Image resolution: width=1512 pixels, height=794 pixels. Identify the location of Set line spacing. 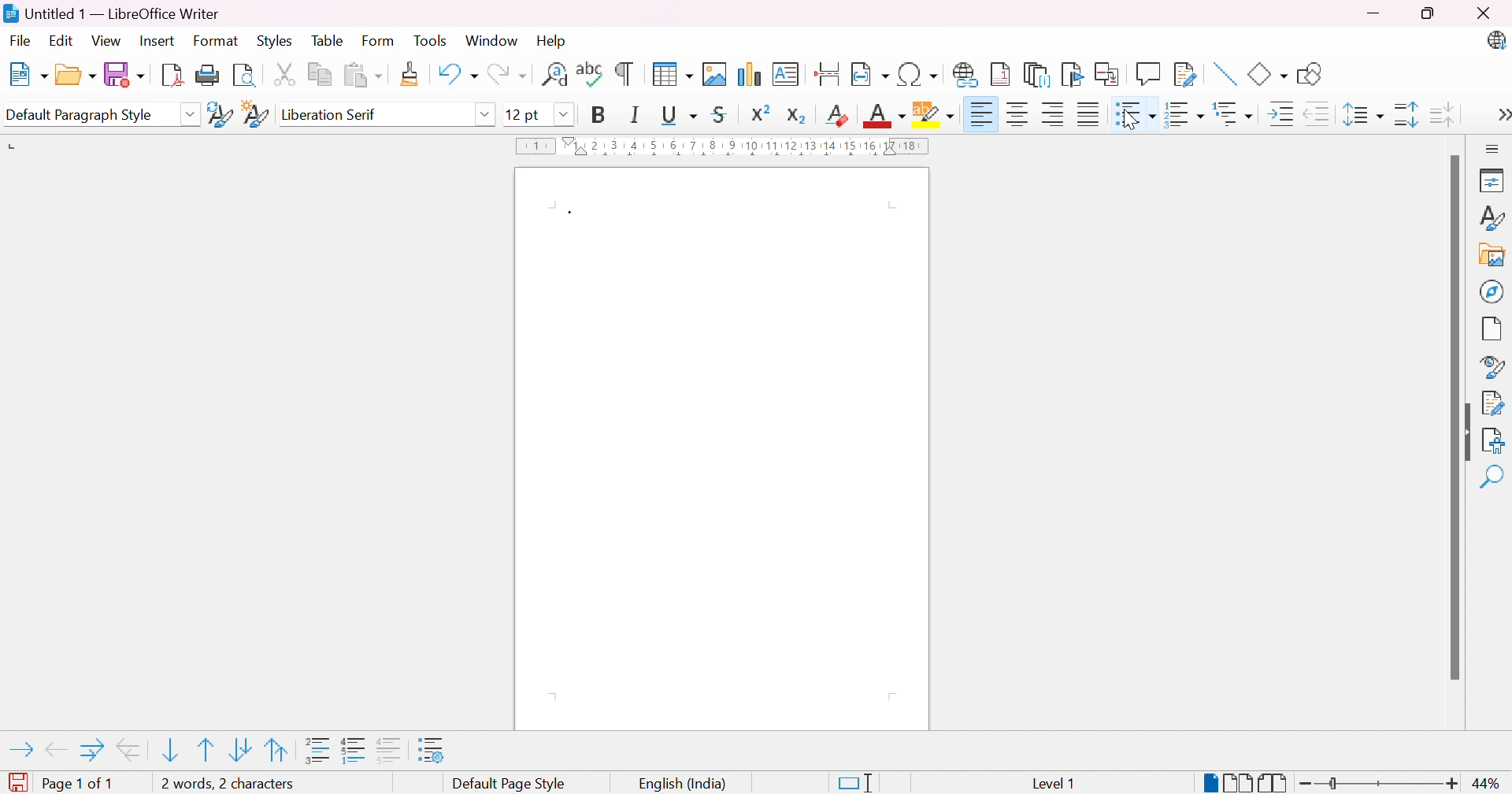
(1366, 115).